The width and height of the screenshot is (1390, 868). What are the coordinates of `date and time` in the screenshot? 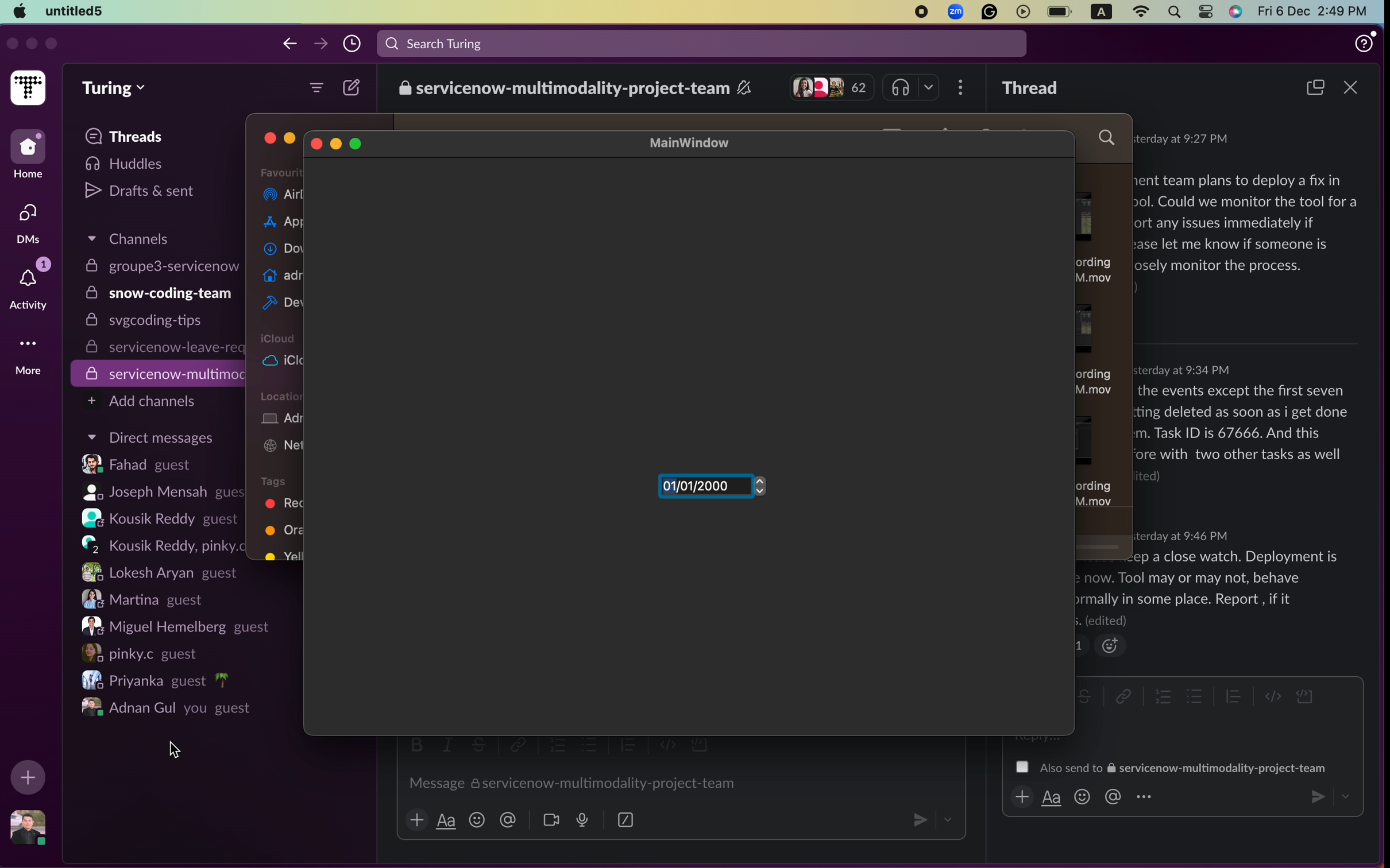 It's located at (1181, 536).